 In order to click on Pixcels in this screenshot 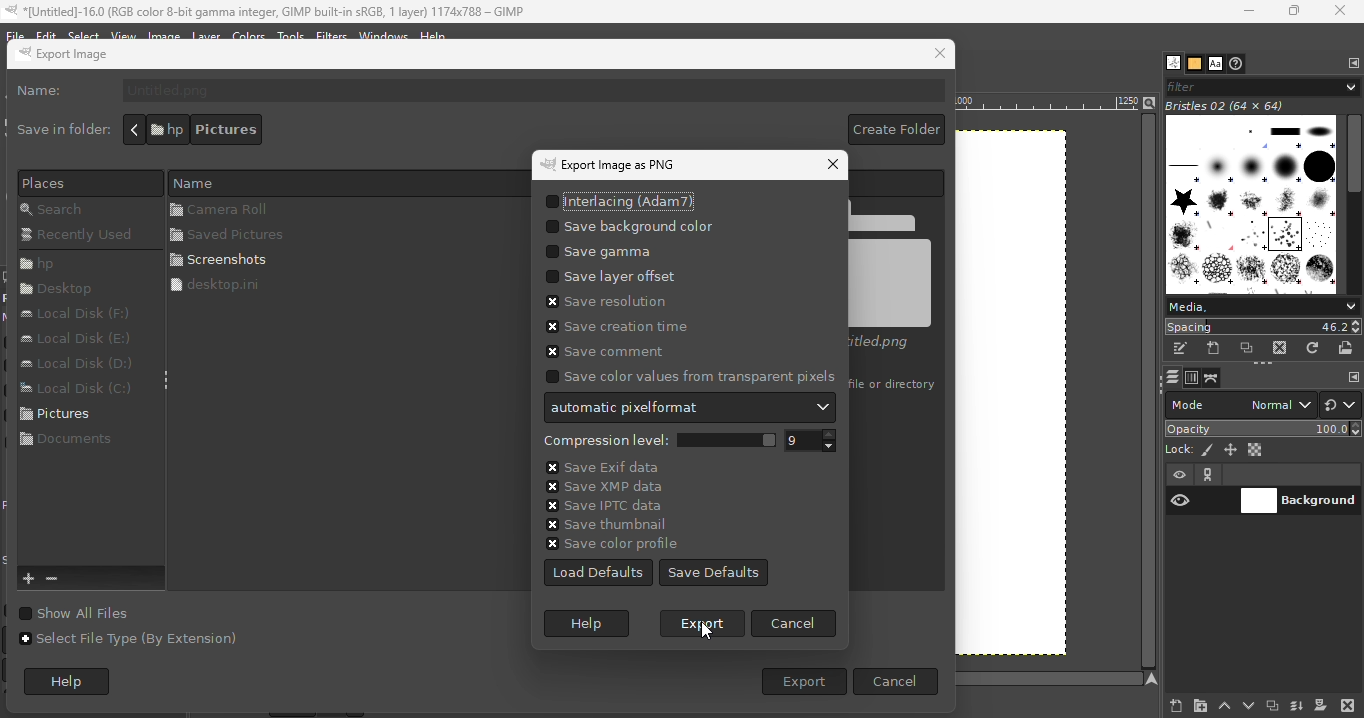, I will do `click(1208, 451)`.